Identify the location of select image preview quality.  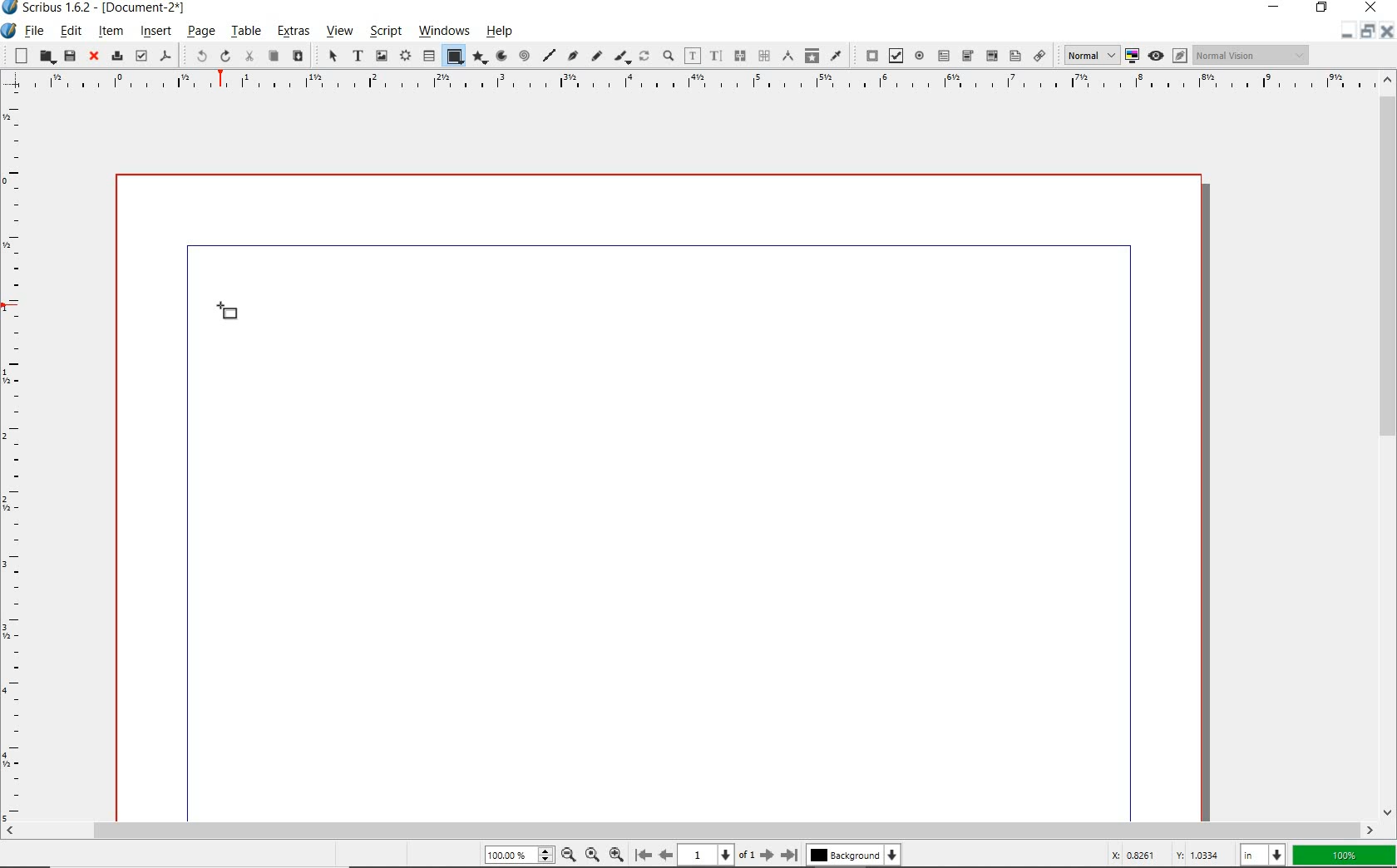
(1086, 55).